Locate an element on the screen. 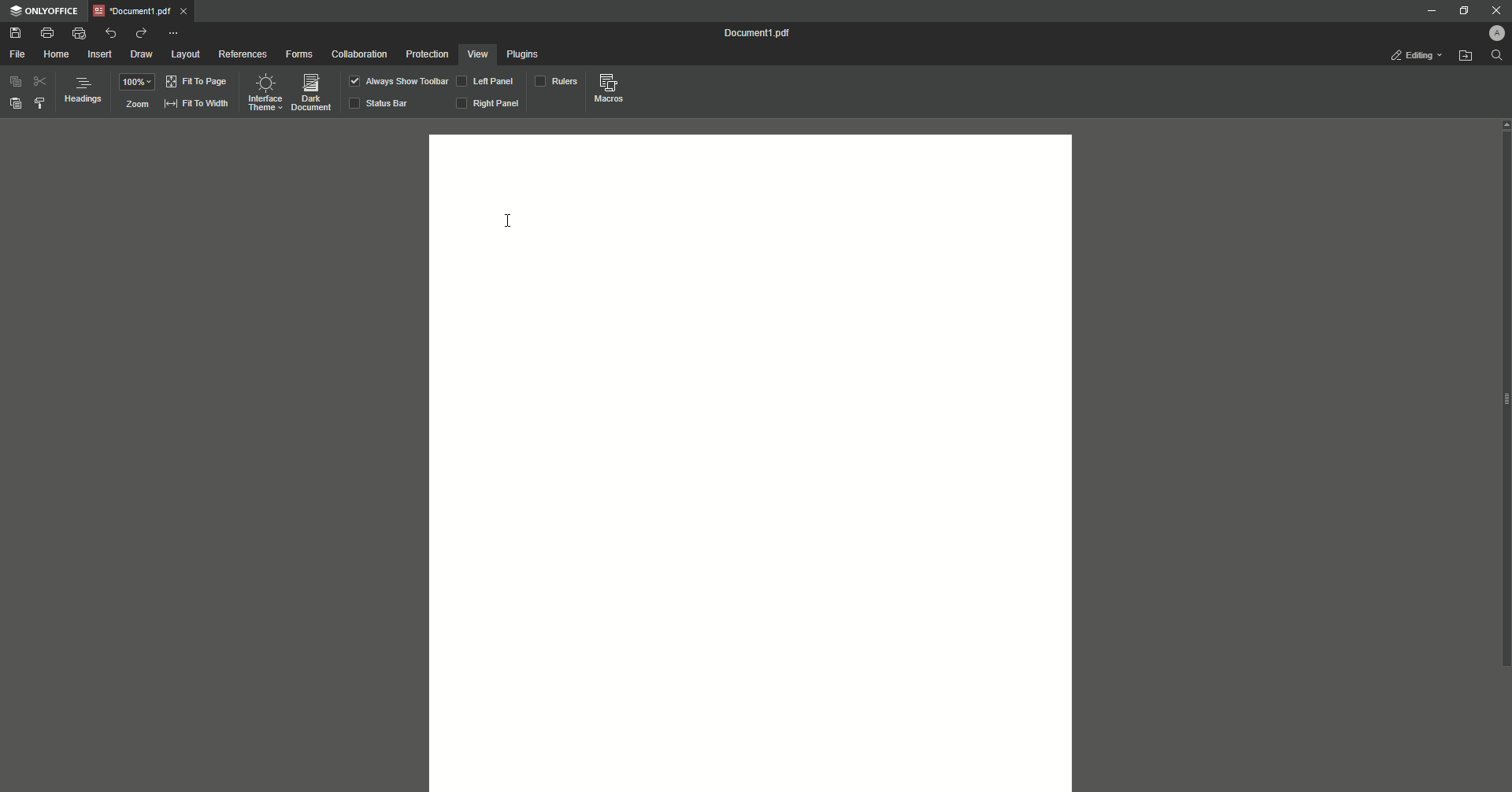  Rulers is located at coordinates (555, 80).